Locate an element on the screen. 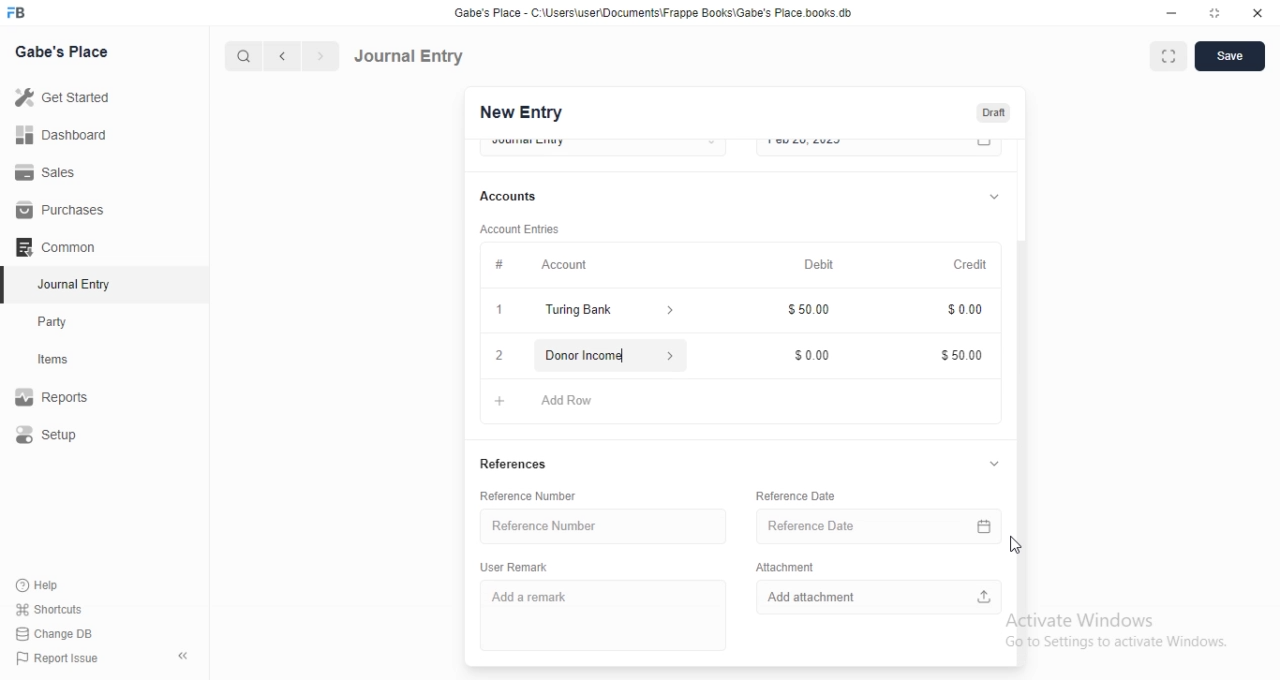 This screenshot has width=1280, height=680. Purchases is located at coordinates (63, 210).